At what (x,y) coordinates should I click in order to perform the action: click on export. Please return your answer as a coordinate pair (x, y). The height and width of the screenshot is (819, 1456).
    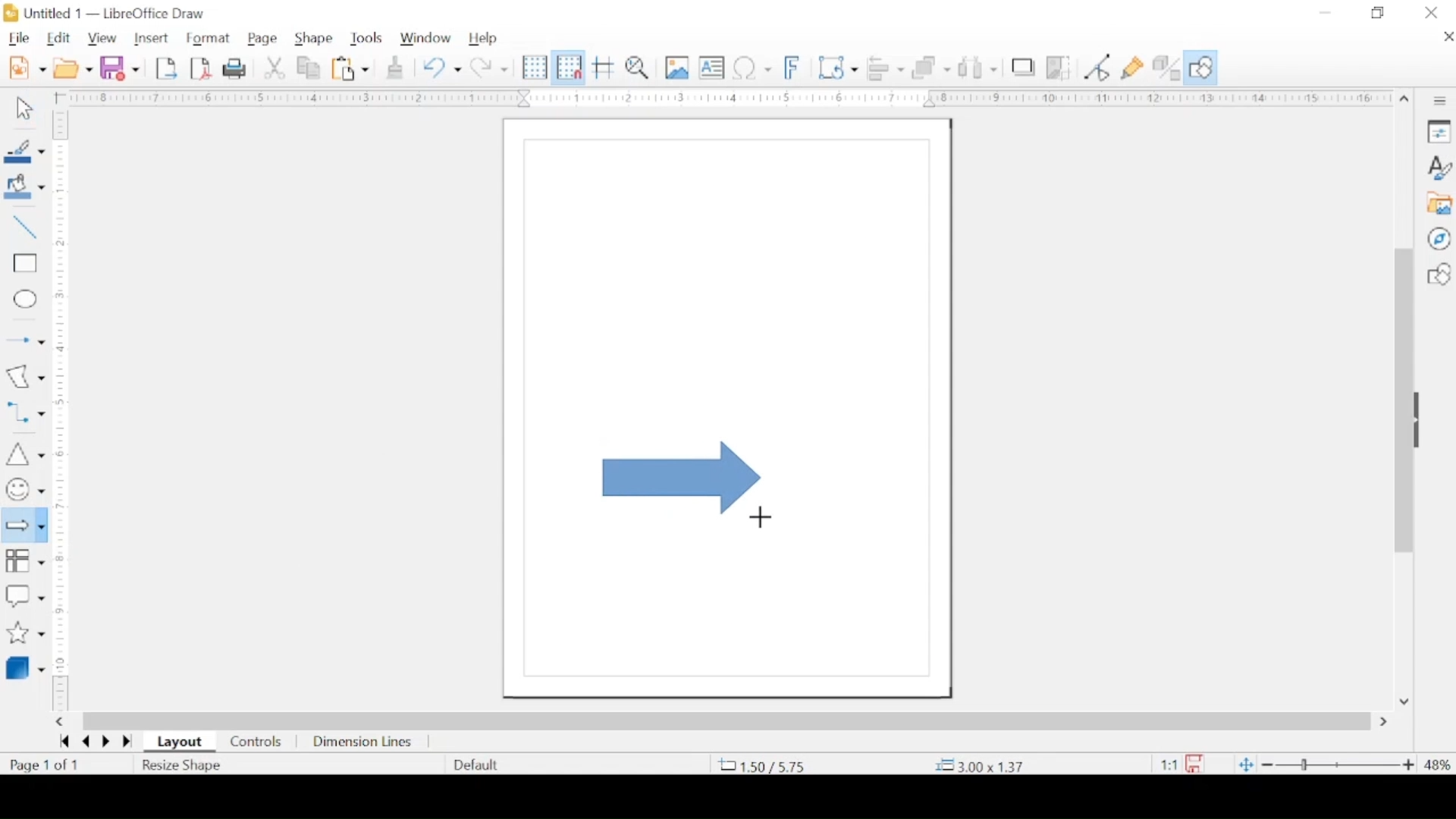
    Looking at the image, I should click on (166, 68).